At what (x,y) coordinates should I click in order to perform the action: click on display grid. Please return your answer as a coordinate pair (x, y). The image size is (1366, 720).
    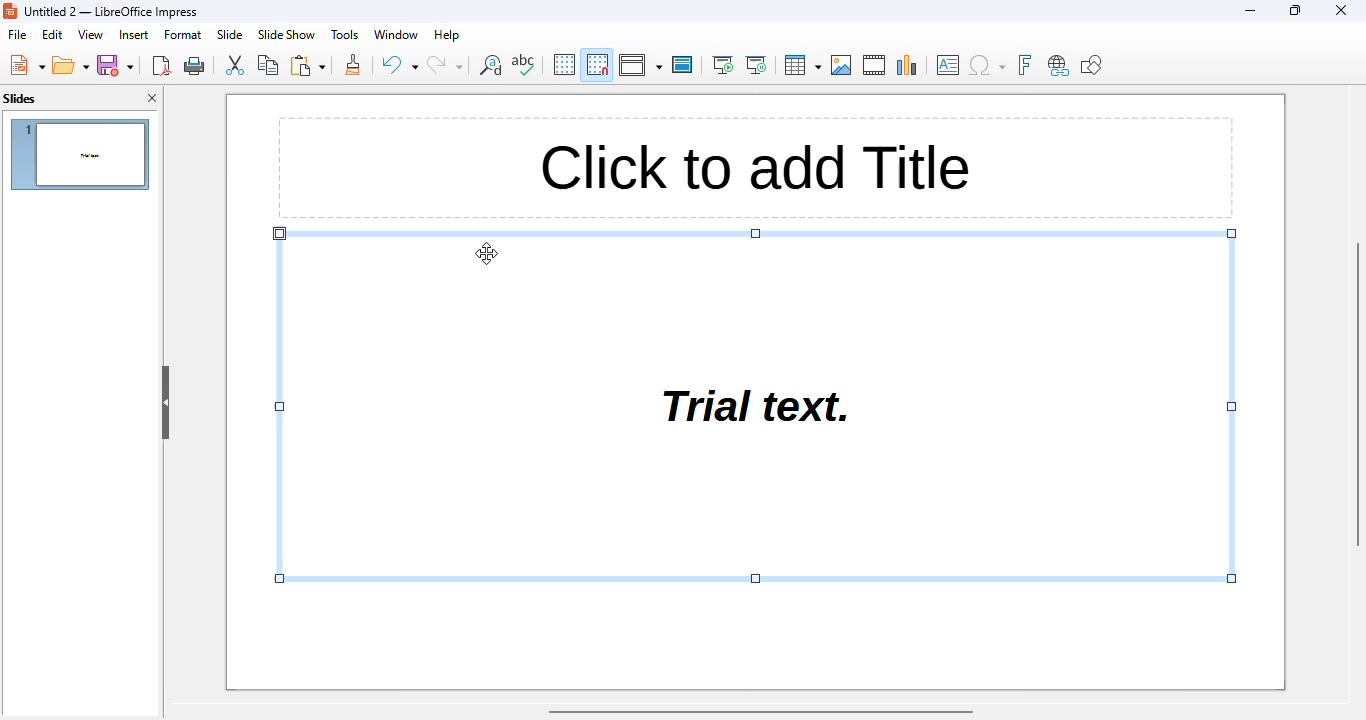
    Looking at the image, I should click on (565, 64).